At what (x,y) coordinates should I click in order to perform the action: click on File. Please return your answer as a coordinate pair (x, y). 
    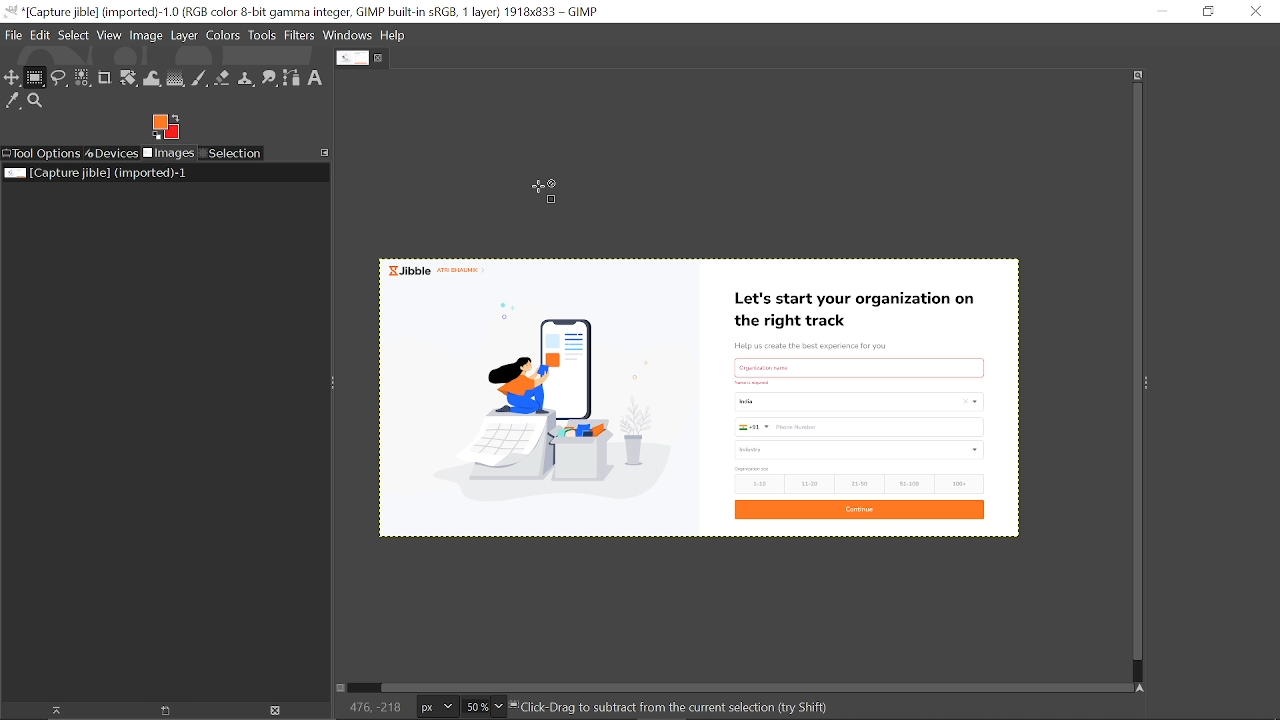
    Looking at the image, I should click on (12, 37).